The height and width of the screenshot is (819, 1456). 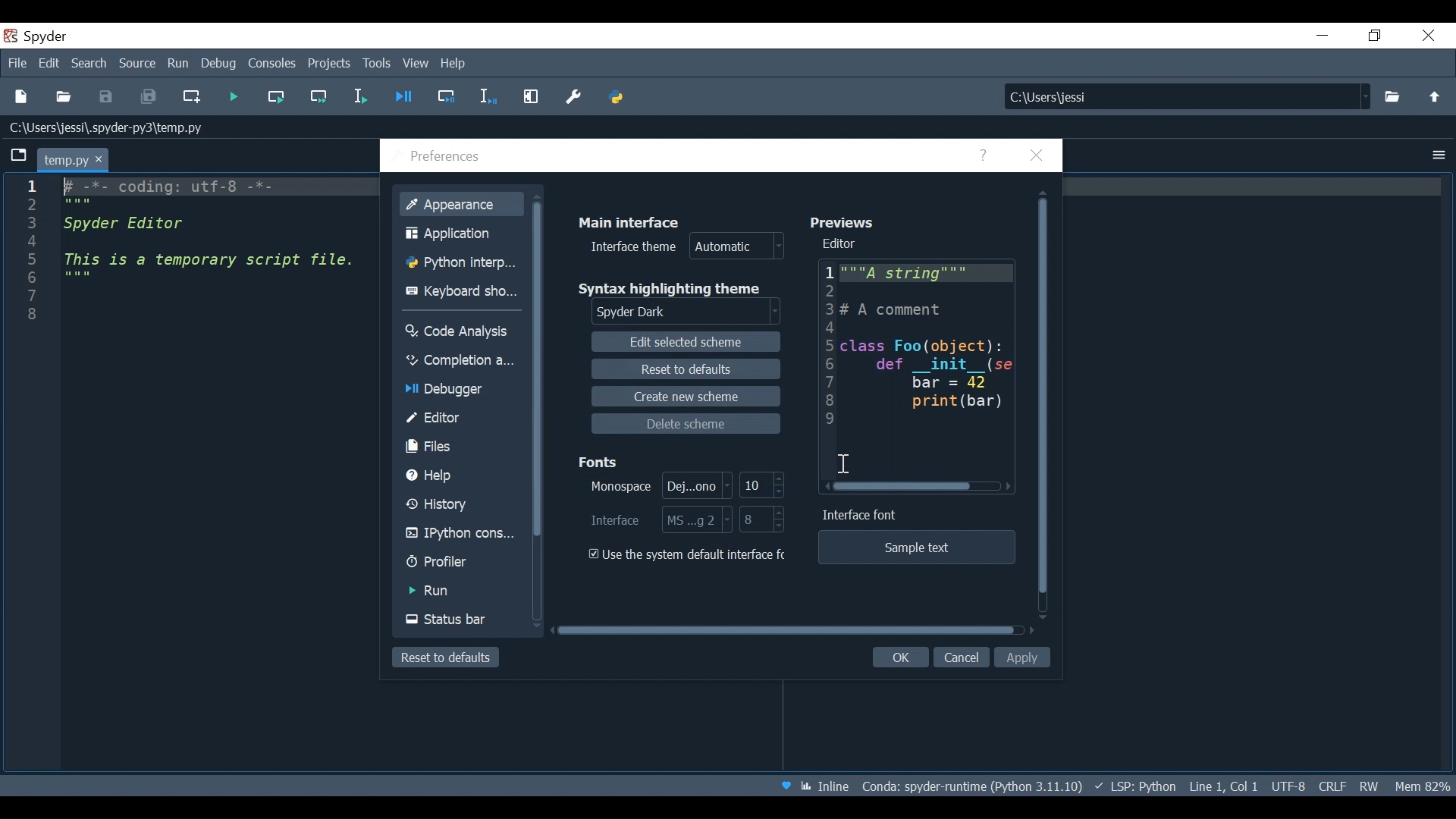 I want to click on Scroll left, so click(x=1009, y=488).